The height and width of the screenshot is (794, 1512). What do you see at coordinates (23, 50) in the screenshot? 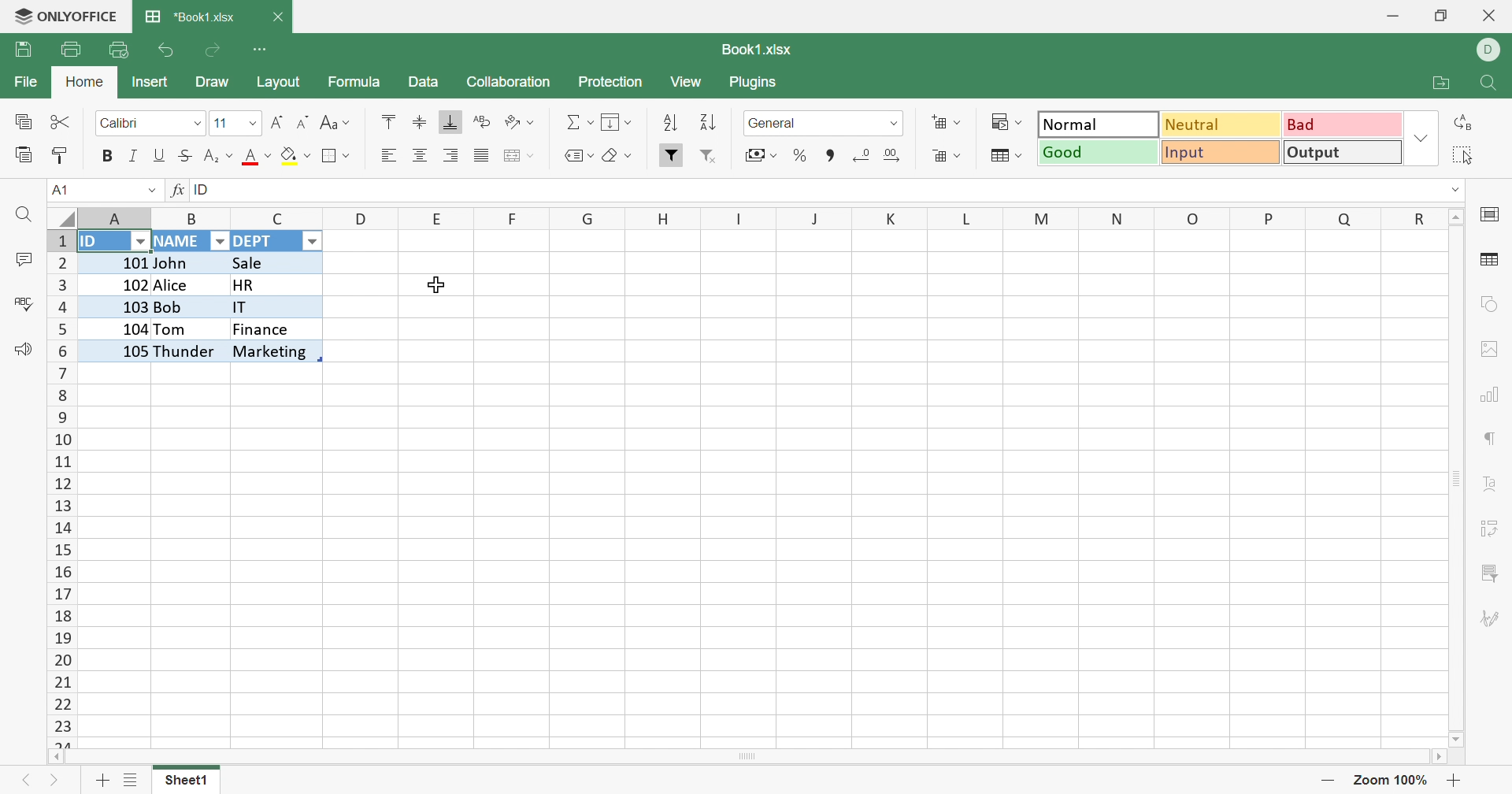
I see `Save` at bounding box center [23, 50].